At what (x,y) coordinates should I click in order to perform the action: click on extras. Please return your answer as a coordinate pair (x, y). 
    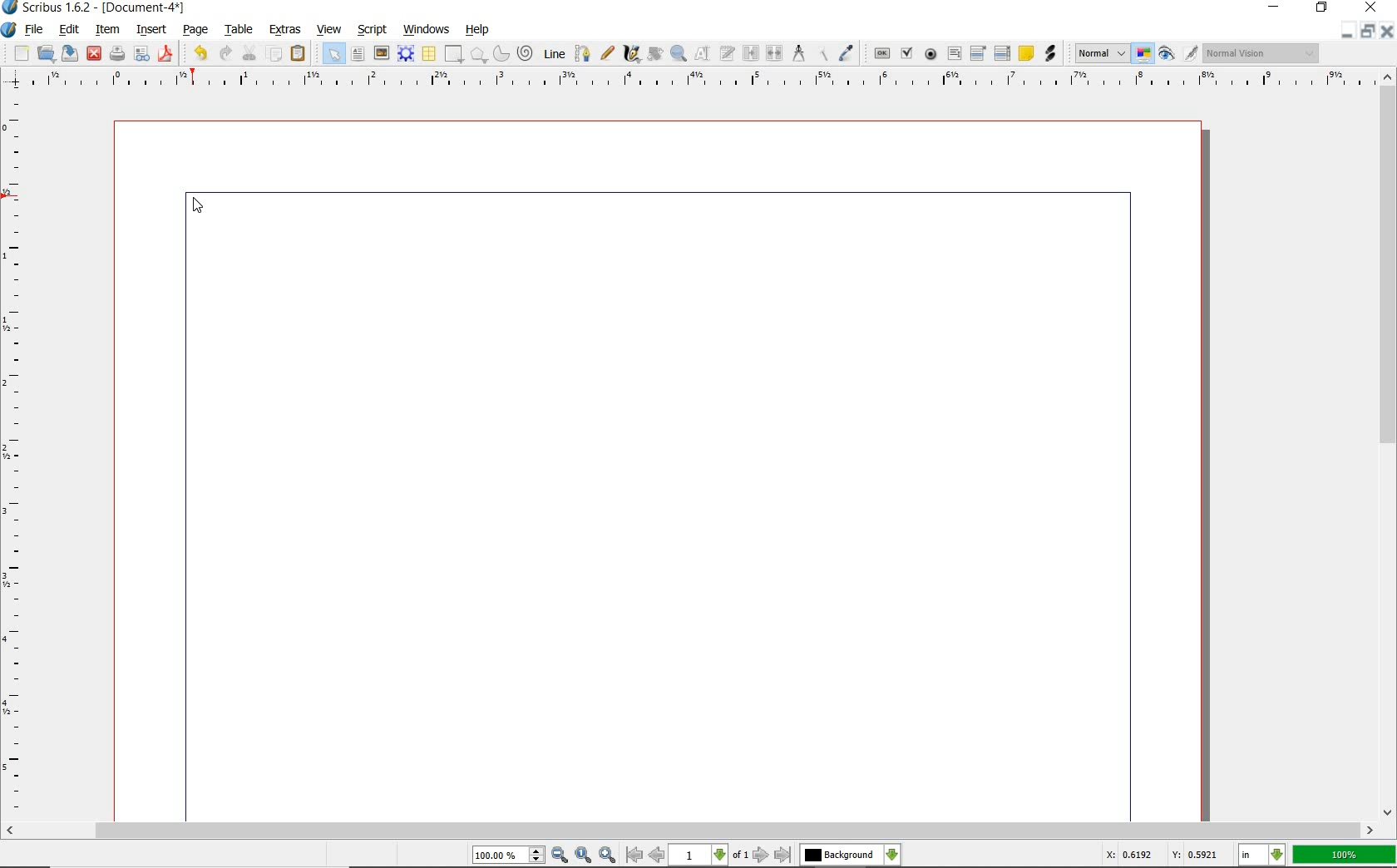
    Looking at the image, I should click on (284, 30).